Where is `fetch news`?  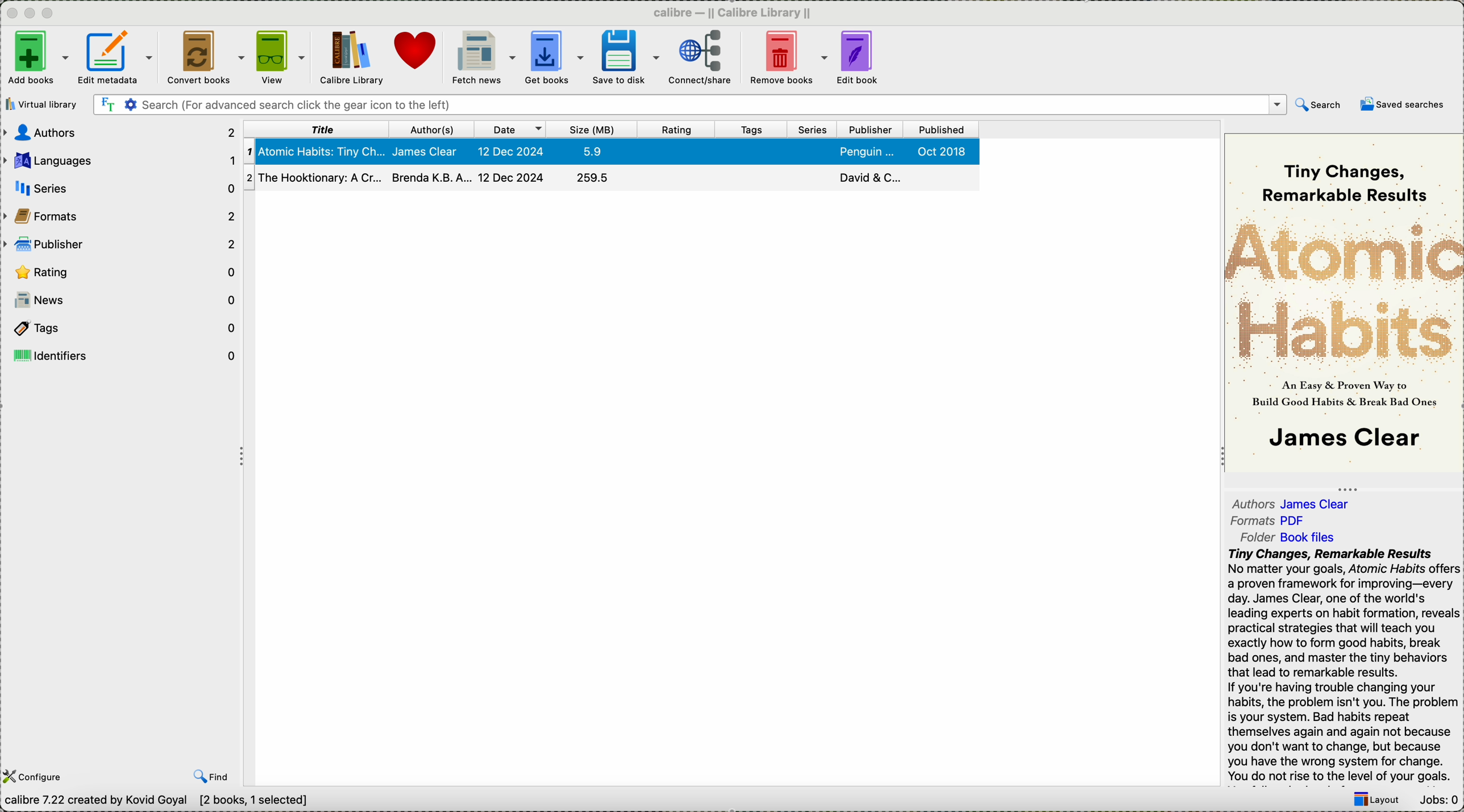
fetch news is located at coordinates (483, 58).